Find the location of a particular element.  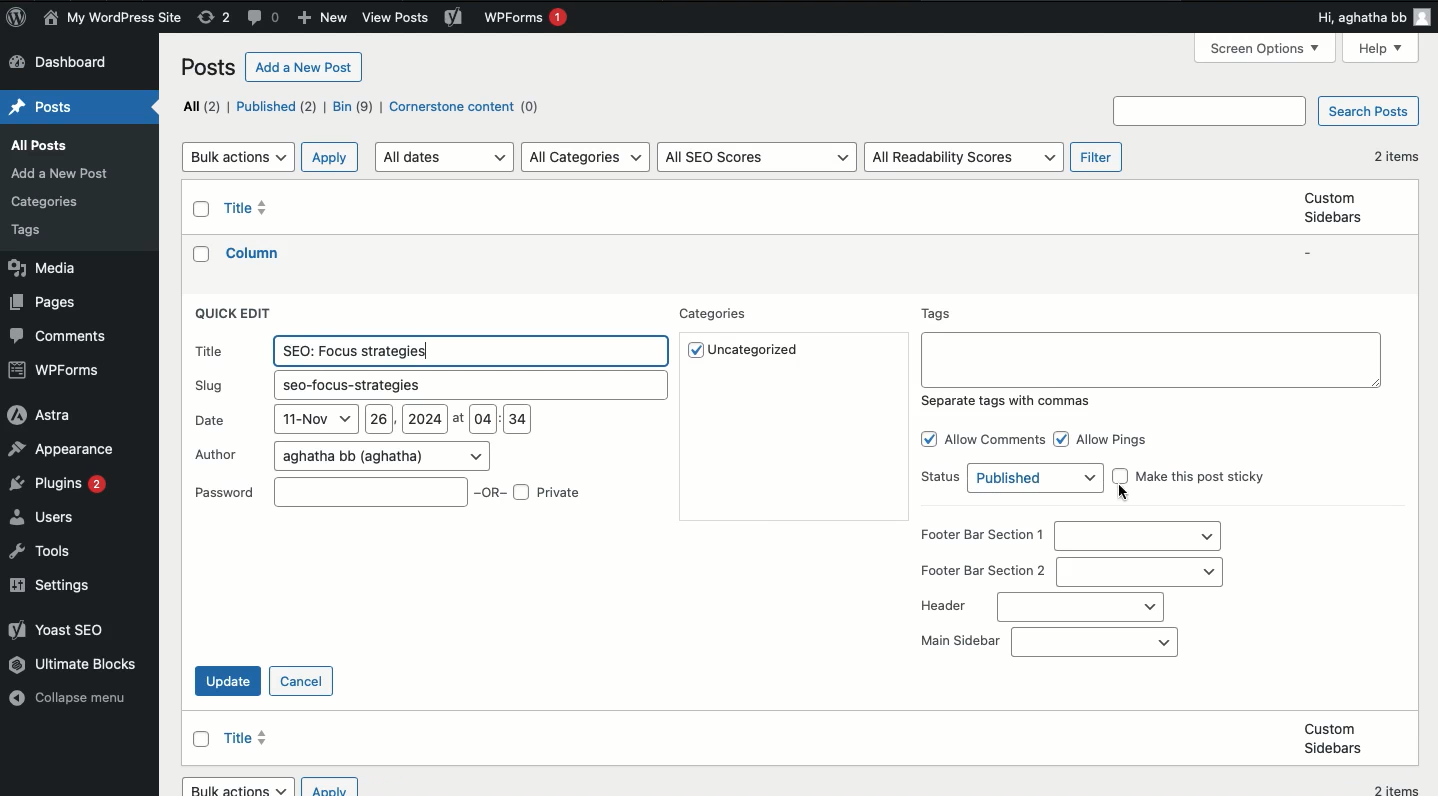

cursor is located at coordinates (1124, 491).